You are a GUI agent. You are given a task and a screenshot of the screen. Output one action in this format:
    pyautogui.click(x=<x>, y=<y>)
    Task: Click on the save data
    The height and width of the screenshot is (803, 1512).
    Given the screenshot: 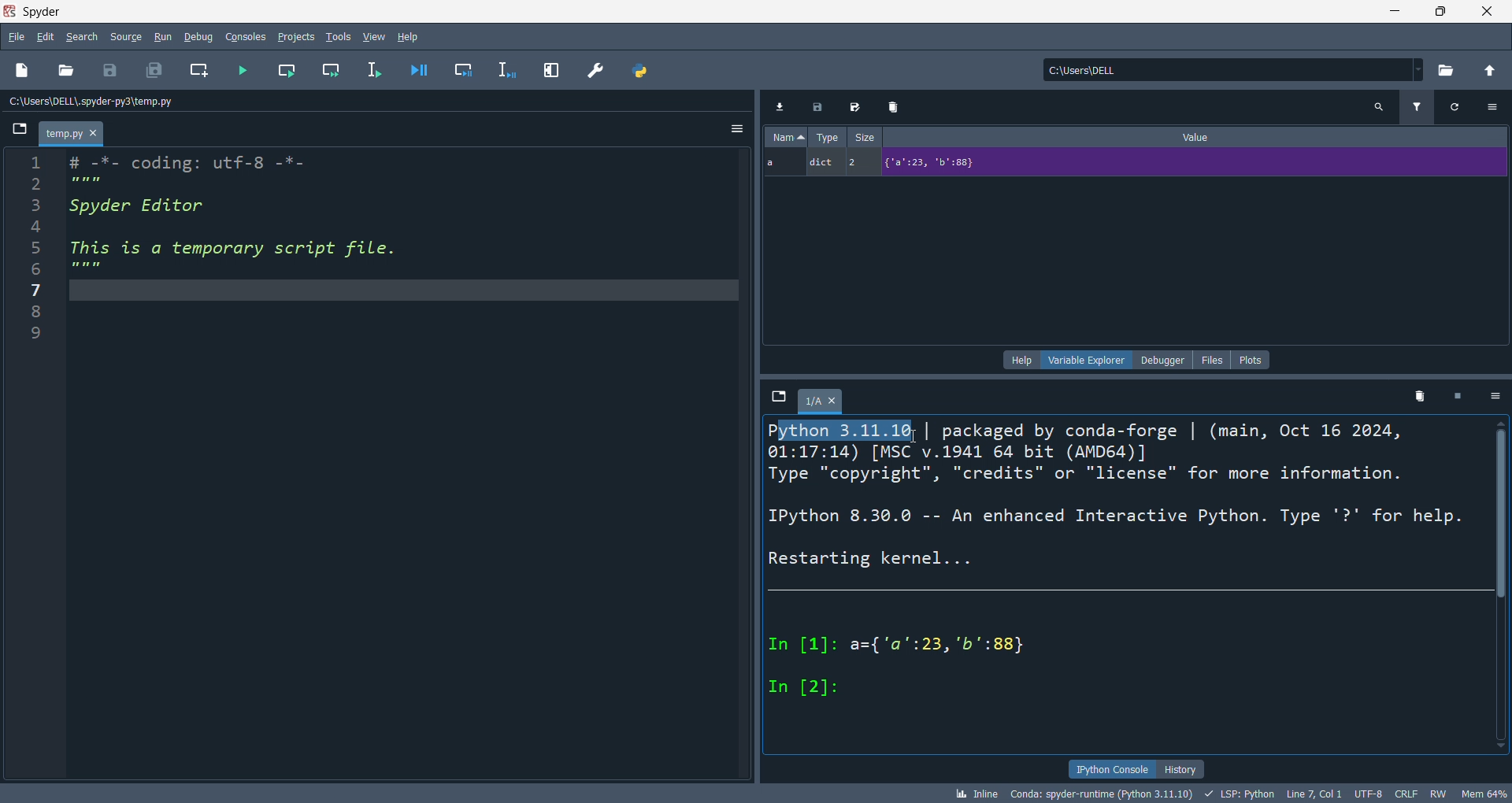 What is the action you would take?
    pyautogui.click(x=820, y=105)
    